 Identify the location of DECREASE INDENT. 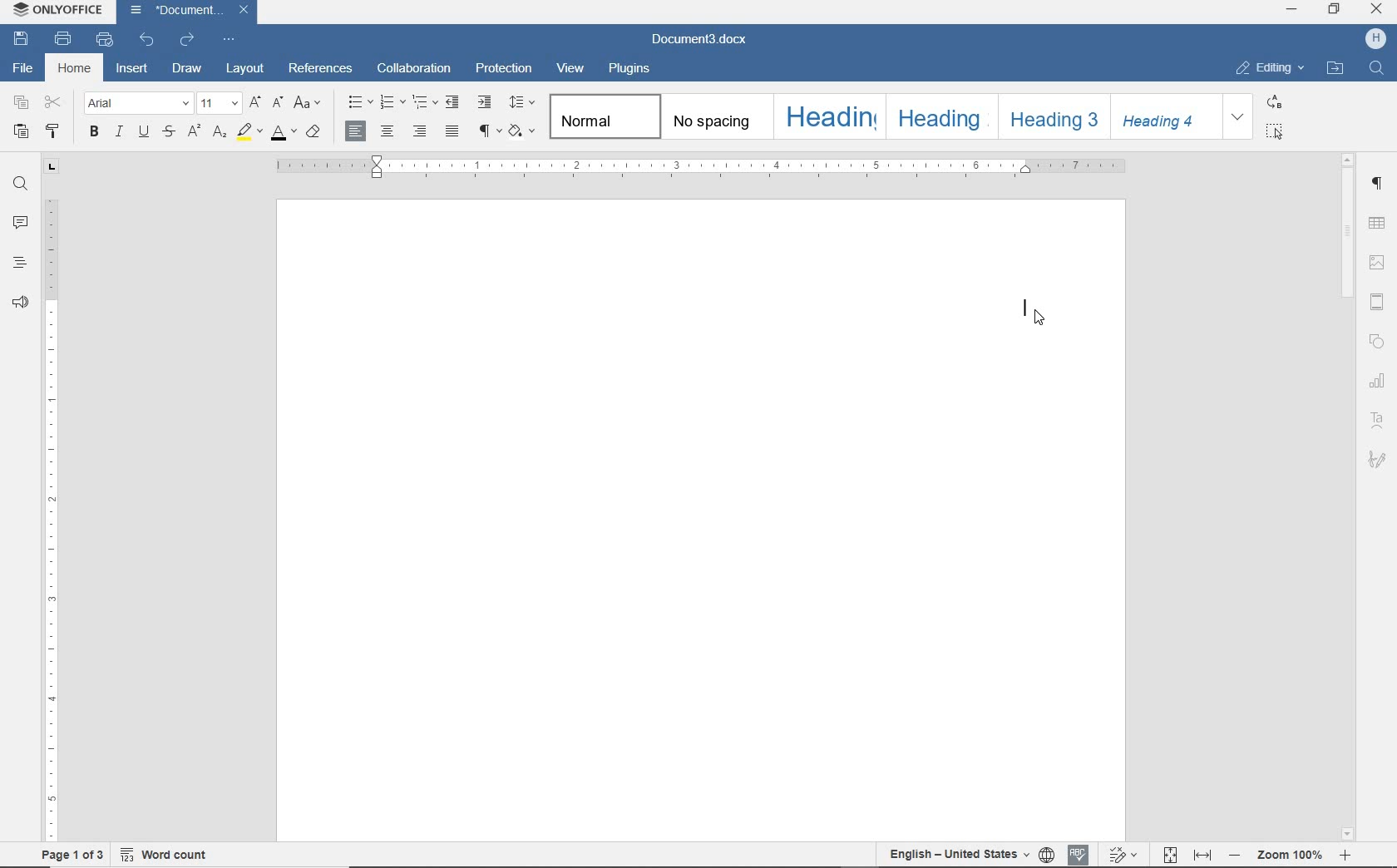
(452, 104).